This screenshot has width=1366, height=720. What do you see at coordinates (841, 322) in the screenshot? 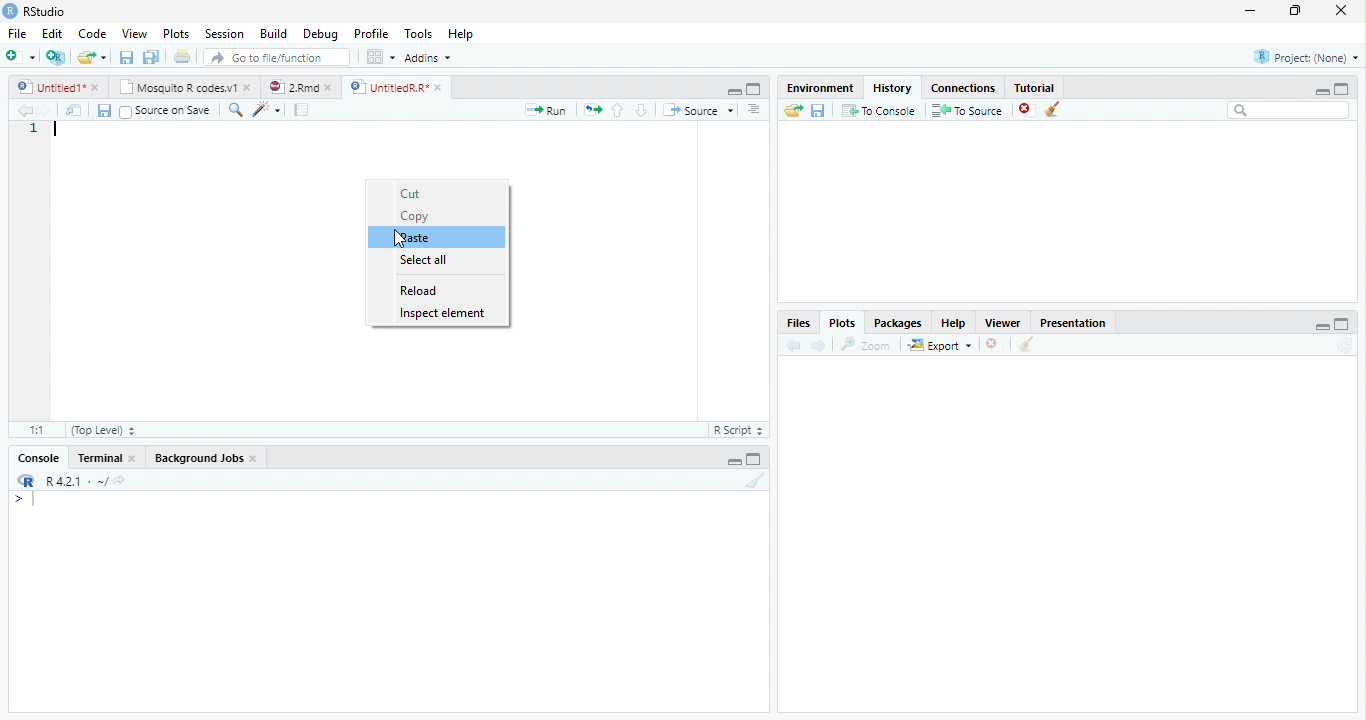
I see `Plots` at bounding box center [841, 322].